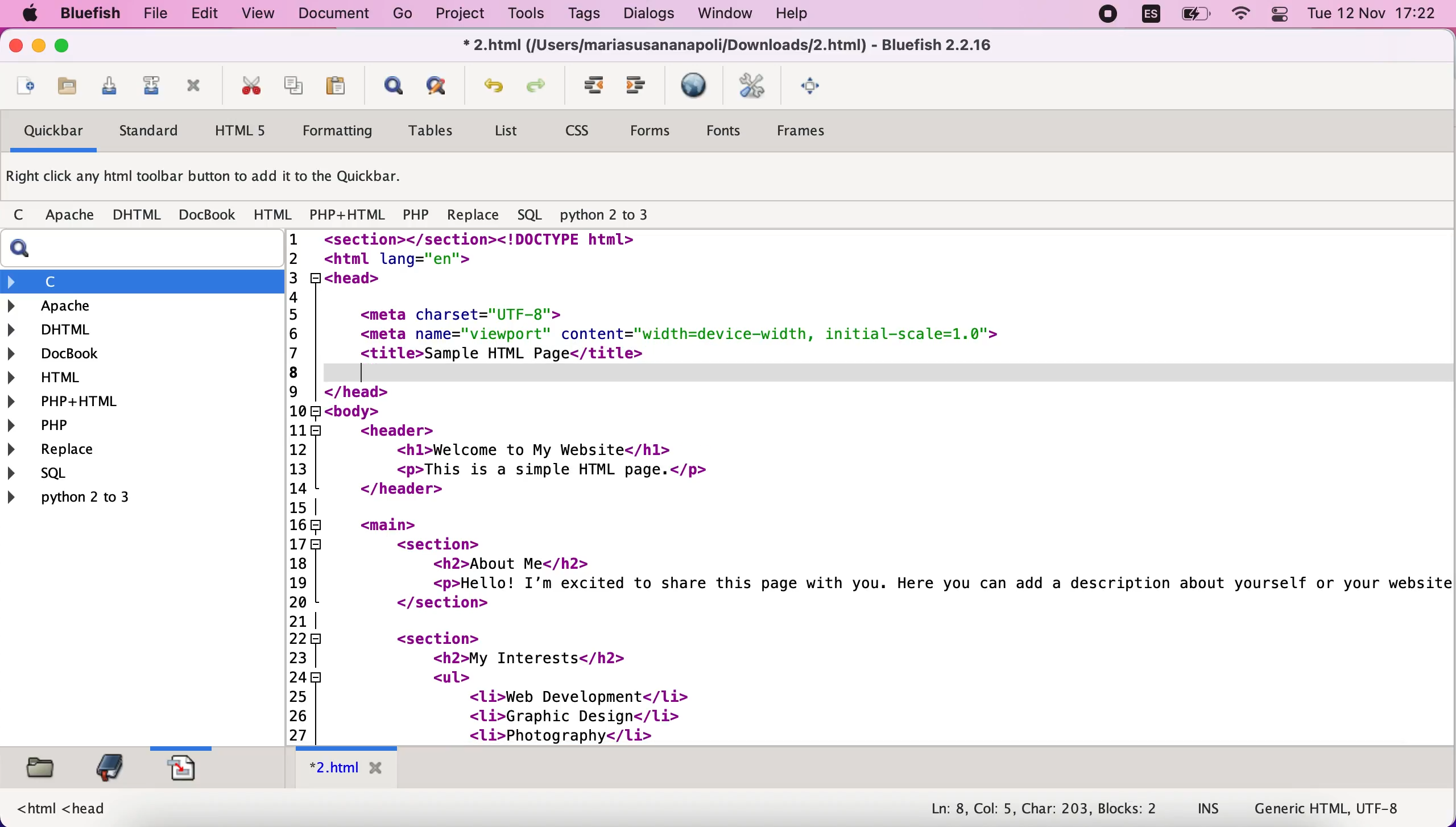 This screenshot has height=827, width=1456. Describe the element at coordinates (140, 215) in the screenshot. I see `dhtml` at that location.